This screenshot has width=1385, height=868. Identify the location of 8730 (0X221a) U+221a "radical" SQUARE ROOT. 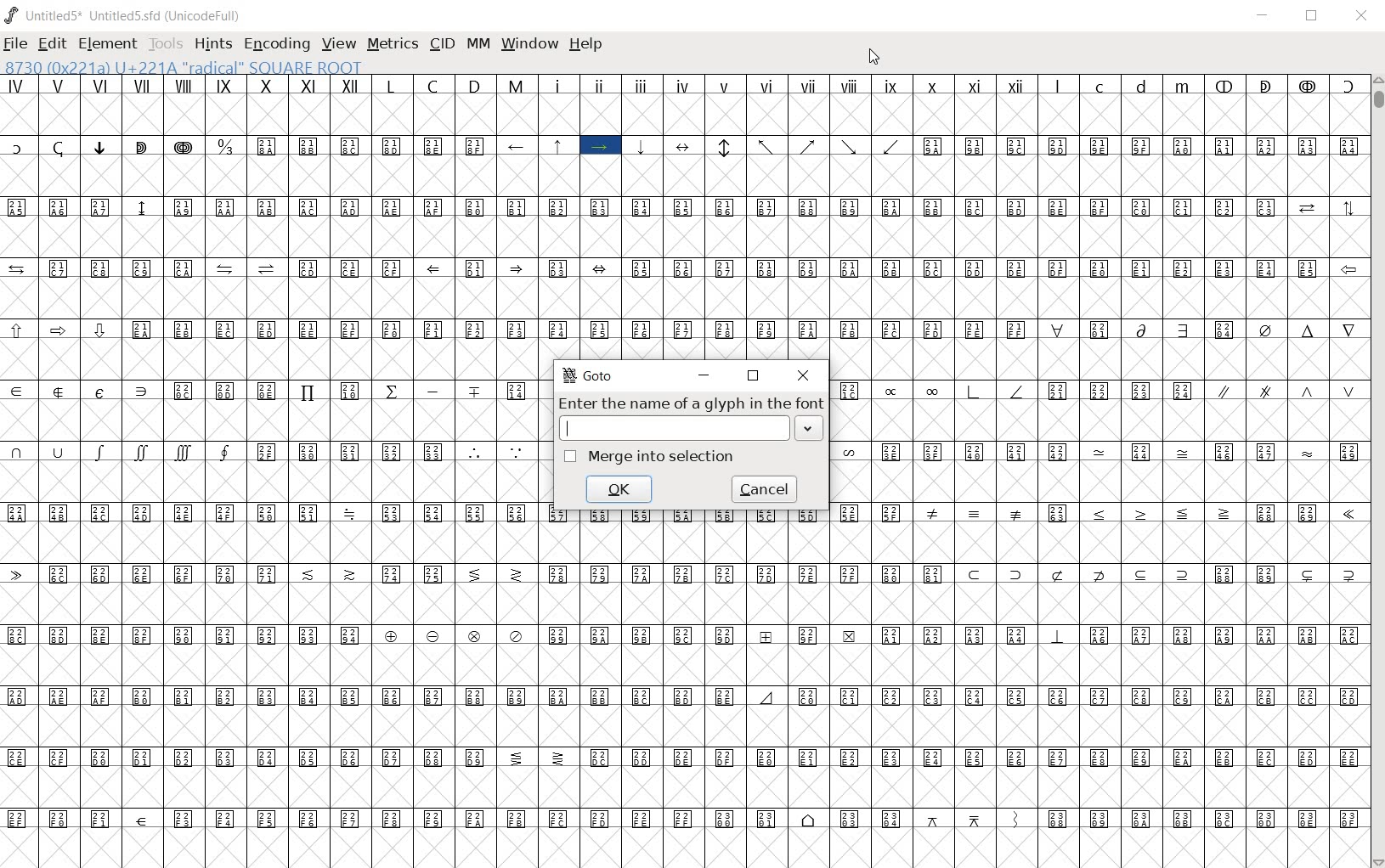
(184, 66).